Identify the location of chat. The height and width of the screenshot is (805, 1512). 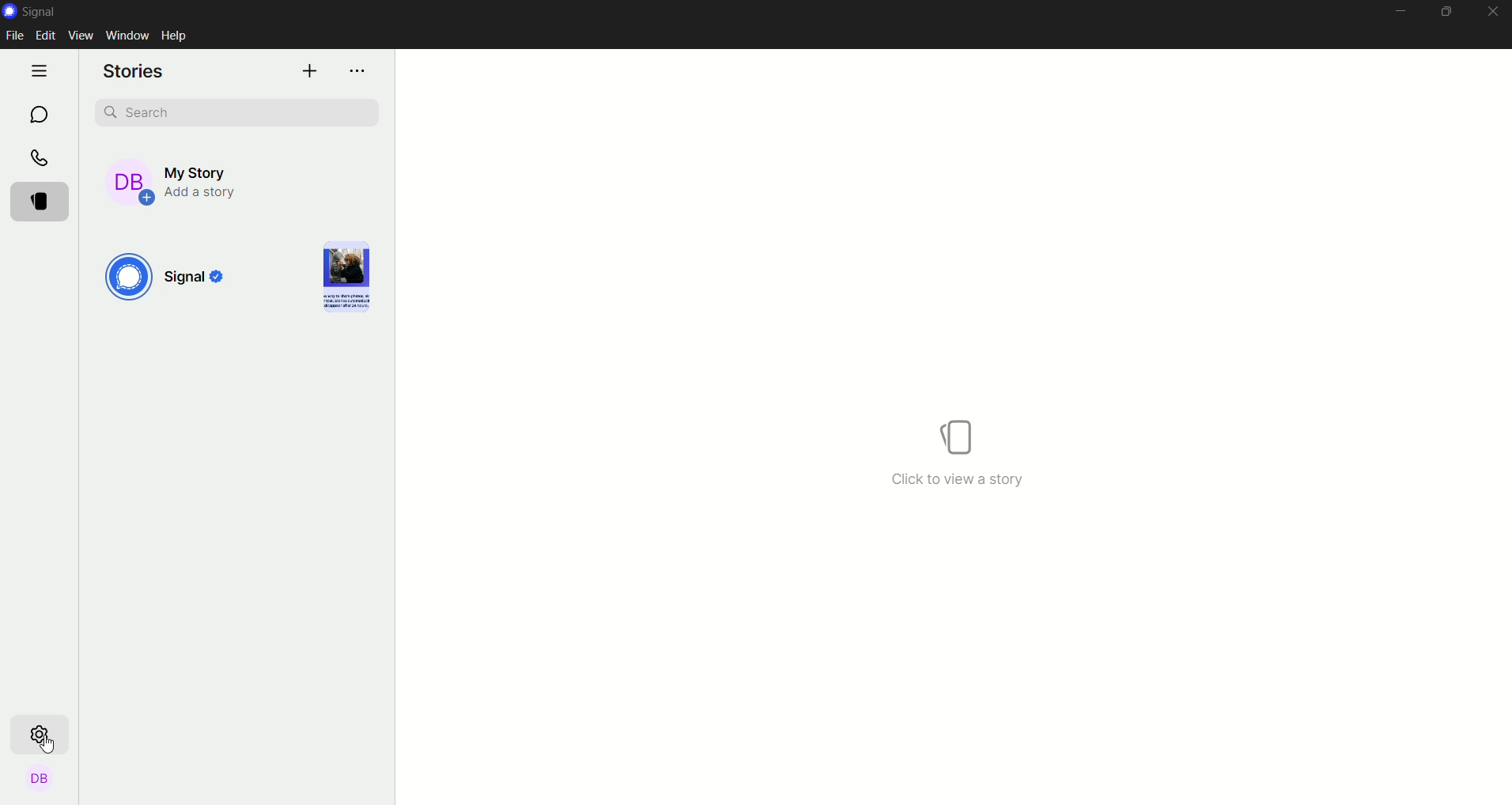
(38, 114).